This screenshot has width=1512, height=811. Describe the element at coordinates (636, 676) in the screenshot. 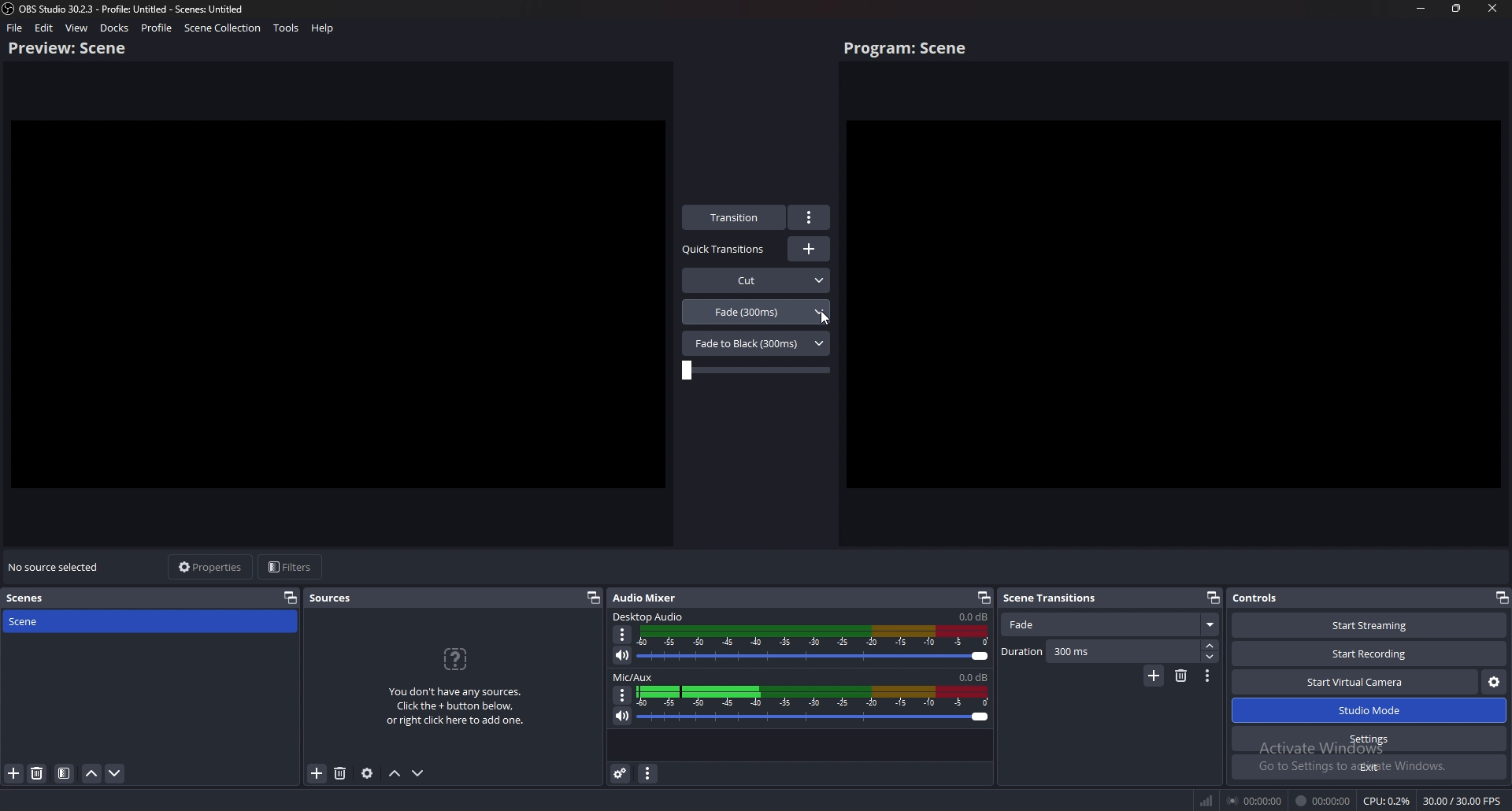

I see `mic/aux` at that location.